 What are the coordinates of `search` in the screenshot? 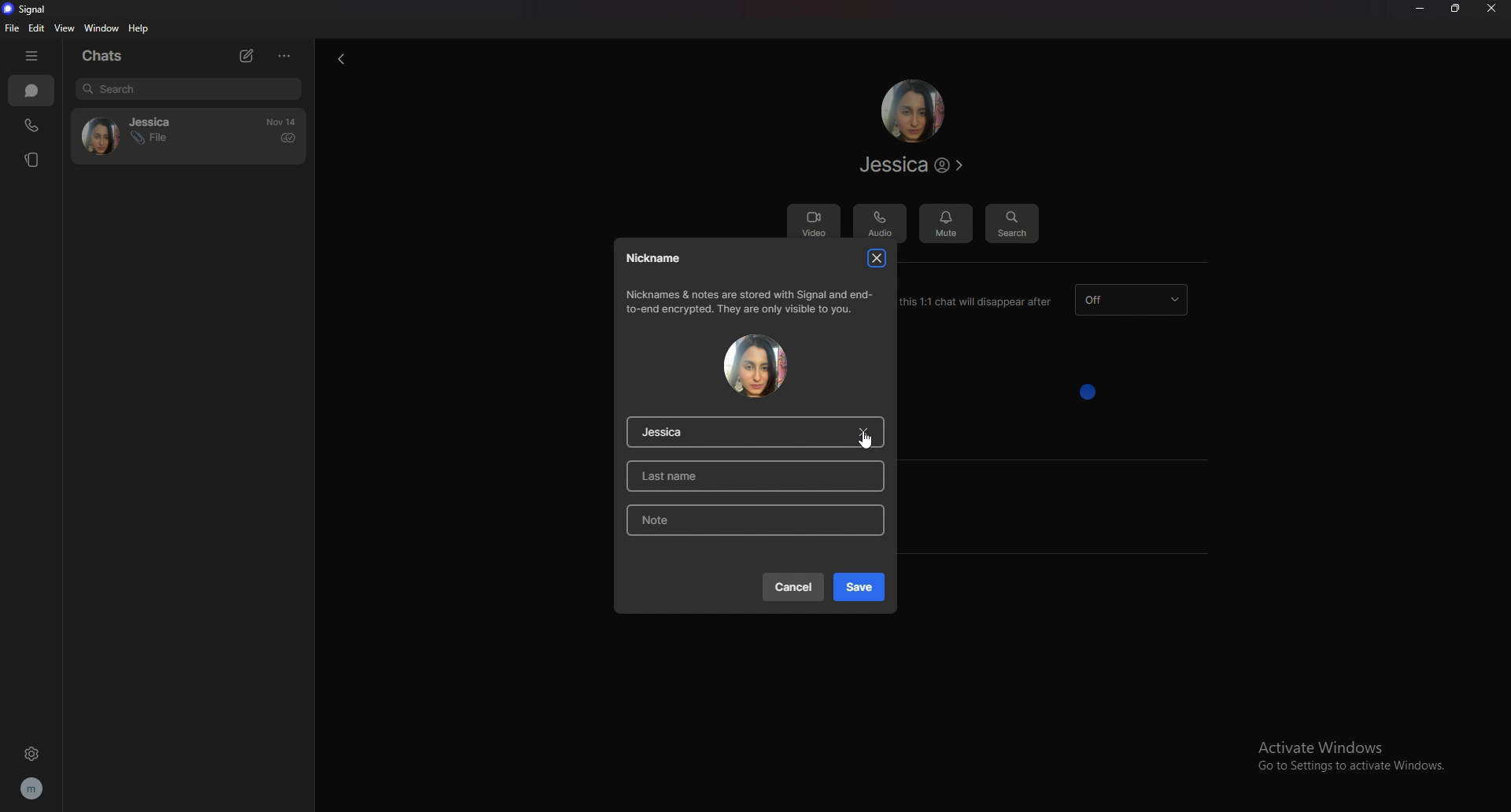 It's located at (190, 89).